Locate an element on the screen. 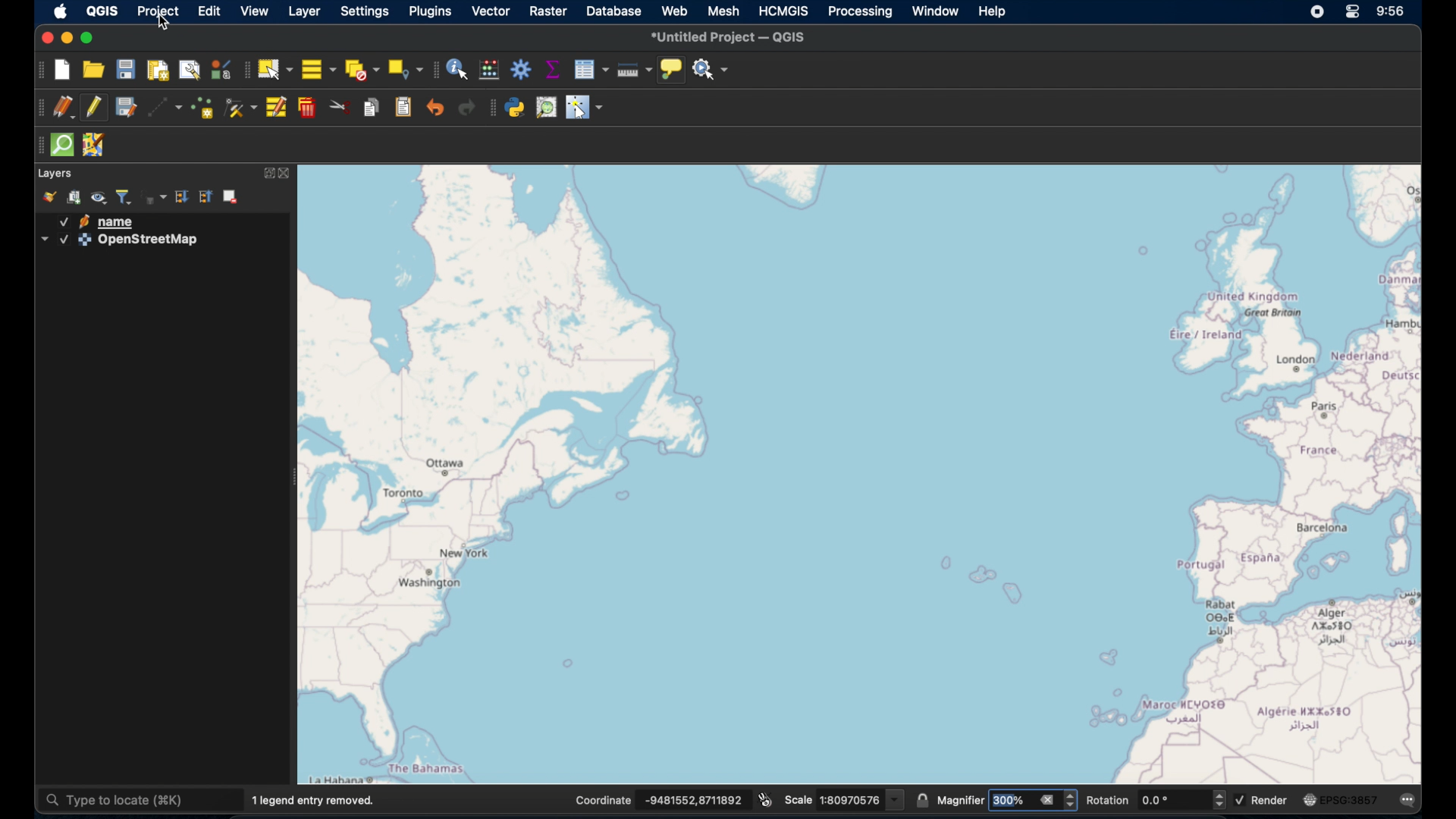 The width and height of the screenshot is (1456, 819). toggle editing is located at coordinates (93, 108).